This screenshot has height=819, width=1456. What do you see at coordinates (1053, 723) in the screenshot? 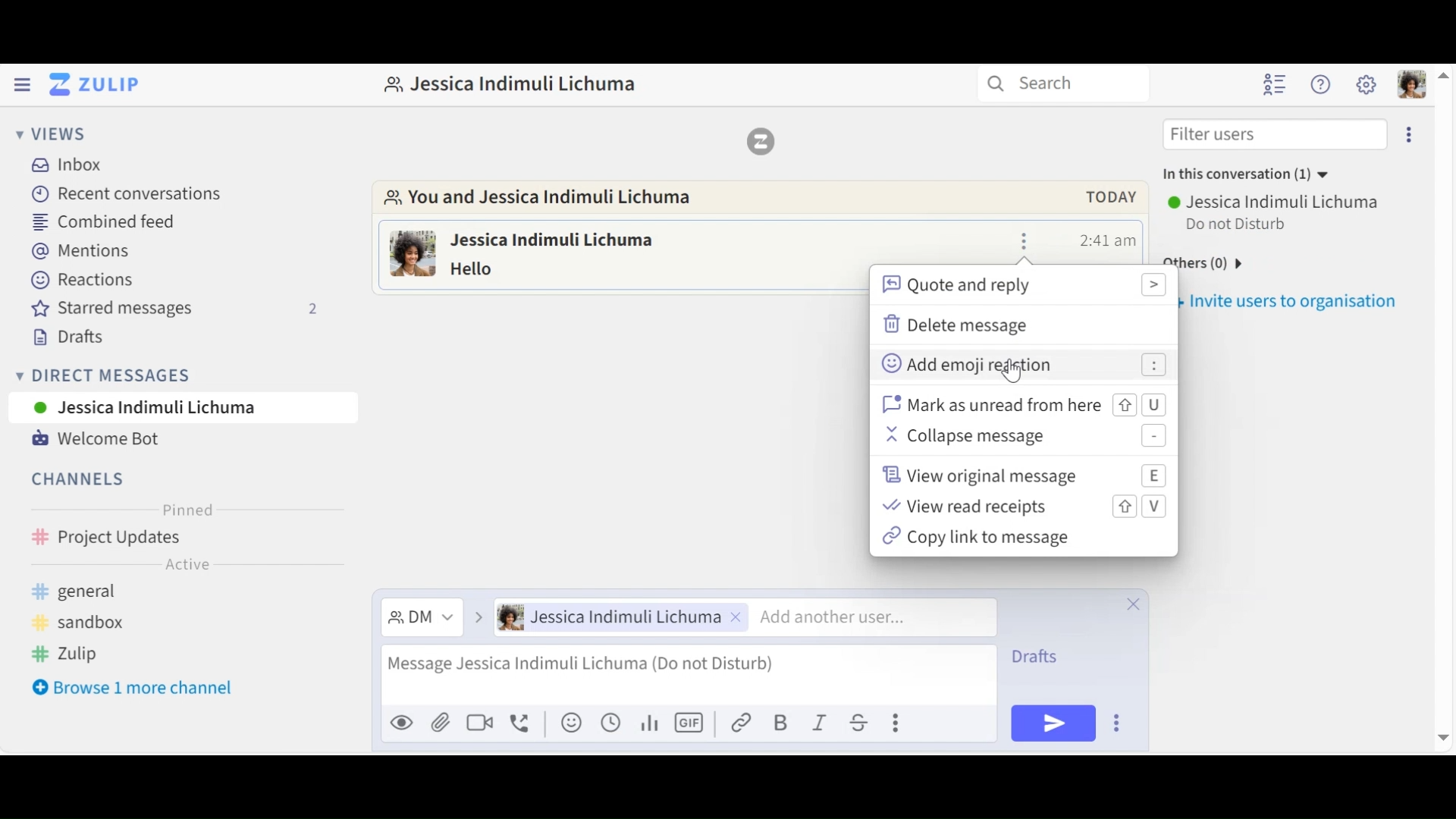
I see `Send` at bounding box center [1053, 723].